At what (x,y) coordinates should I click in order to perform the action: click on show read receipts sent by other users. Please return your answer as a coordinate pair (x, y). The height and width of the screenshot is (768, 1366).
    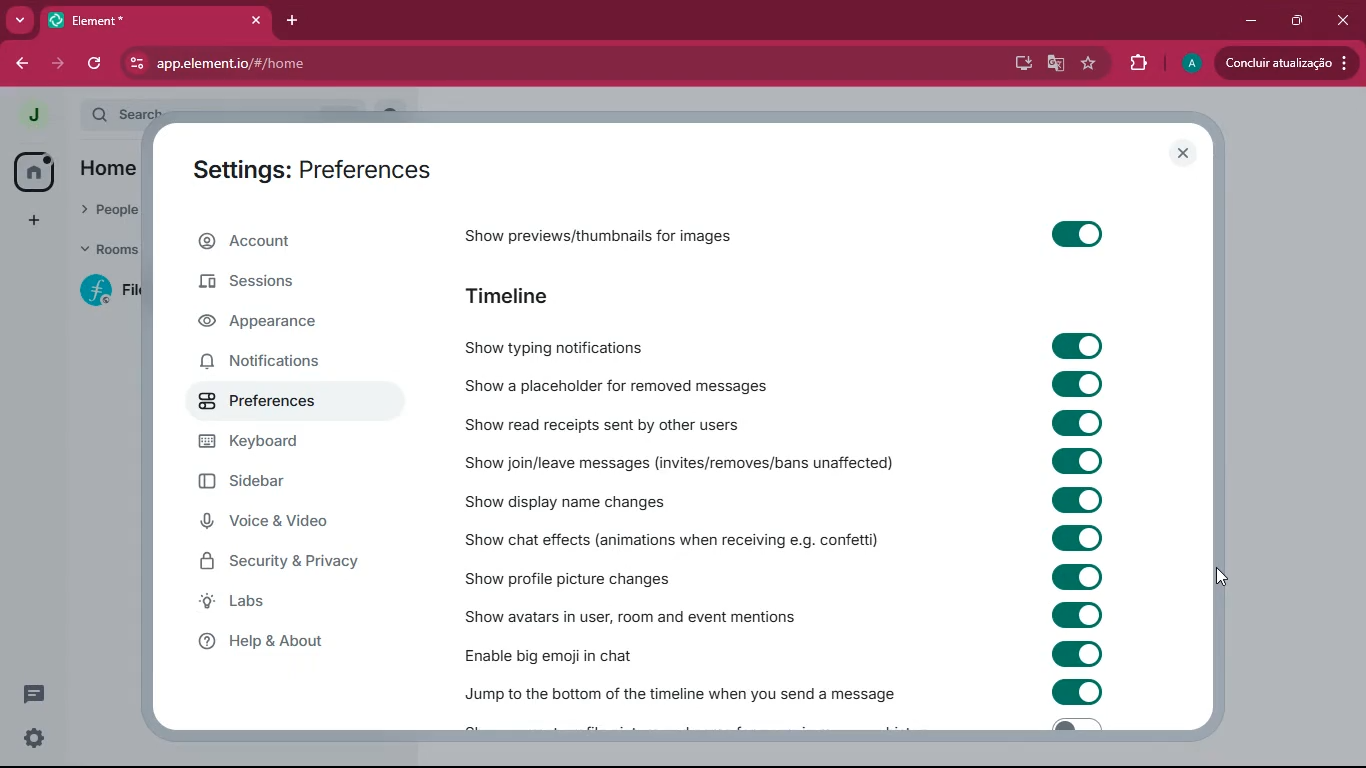
    Looking at the image, I should click on (672, 421).